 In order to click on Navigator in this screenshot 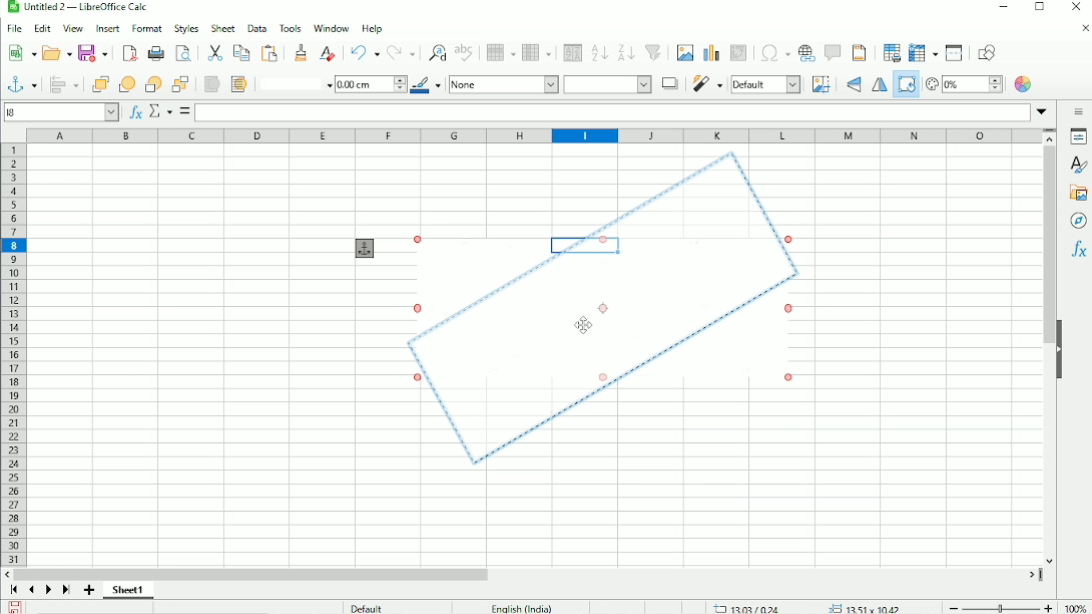, I will do `click(1079, 222)`.